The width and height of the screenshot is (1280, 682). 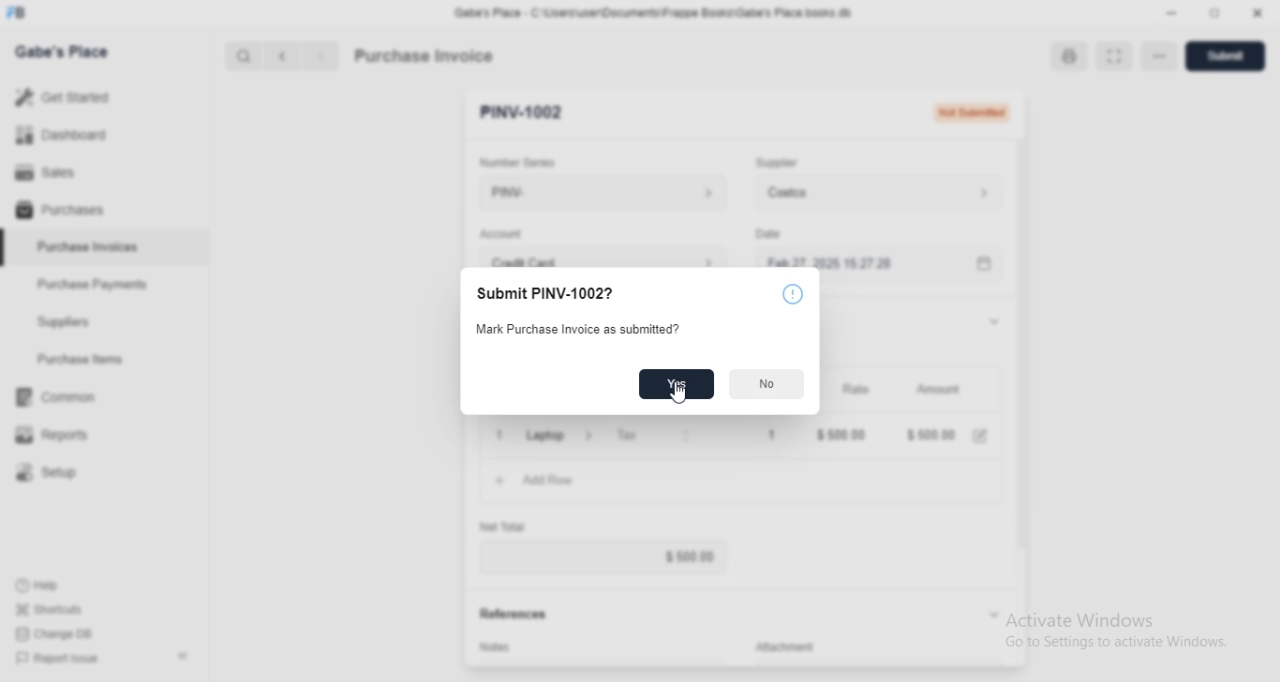 I want to click on Close, so click(x=1258, y=13).